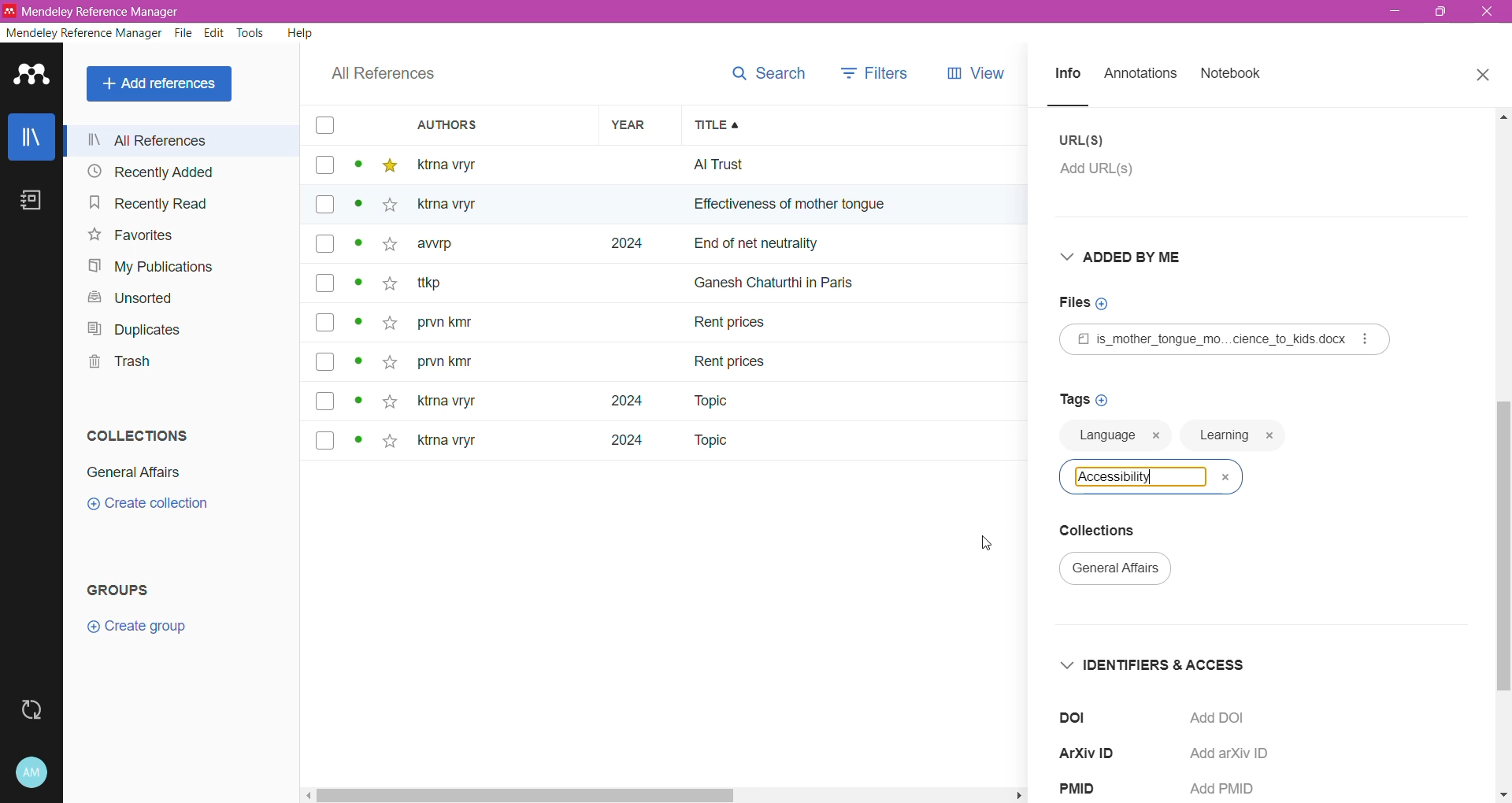  What do you see at coordinates (32, 773) in the screenshot?
I see `Account and Help` at bounding box center [32, 773].